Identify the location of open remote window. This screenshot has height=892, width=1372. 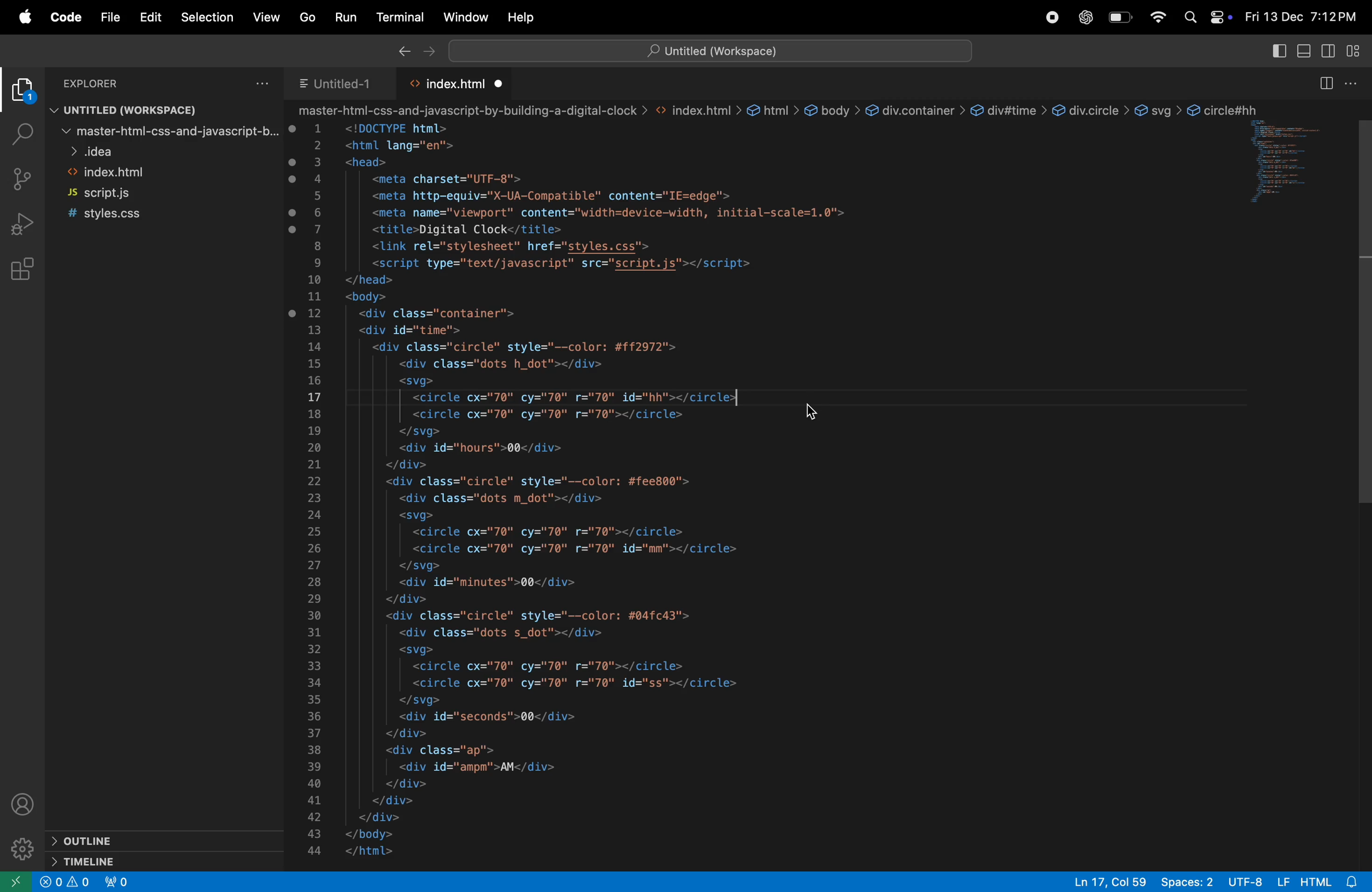
(17, 882).